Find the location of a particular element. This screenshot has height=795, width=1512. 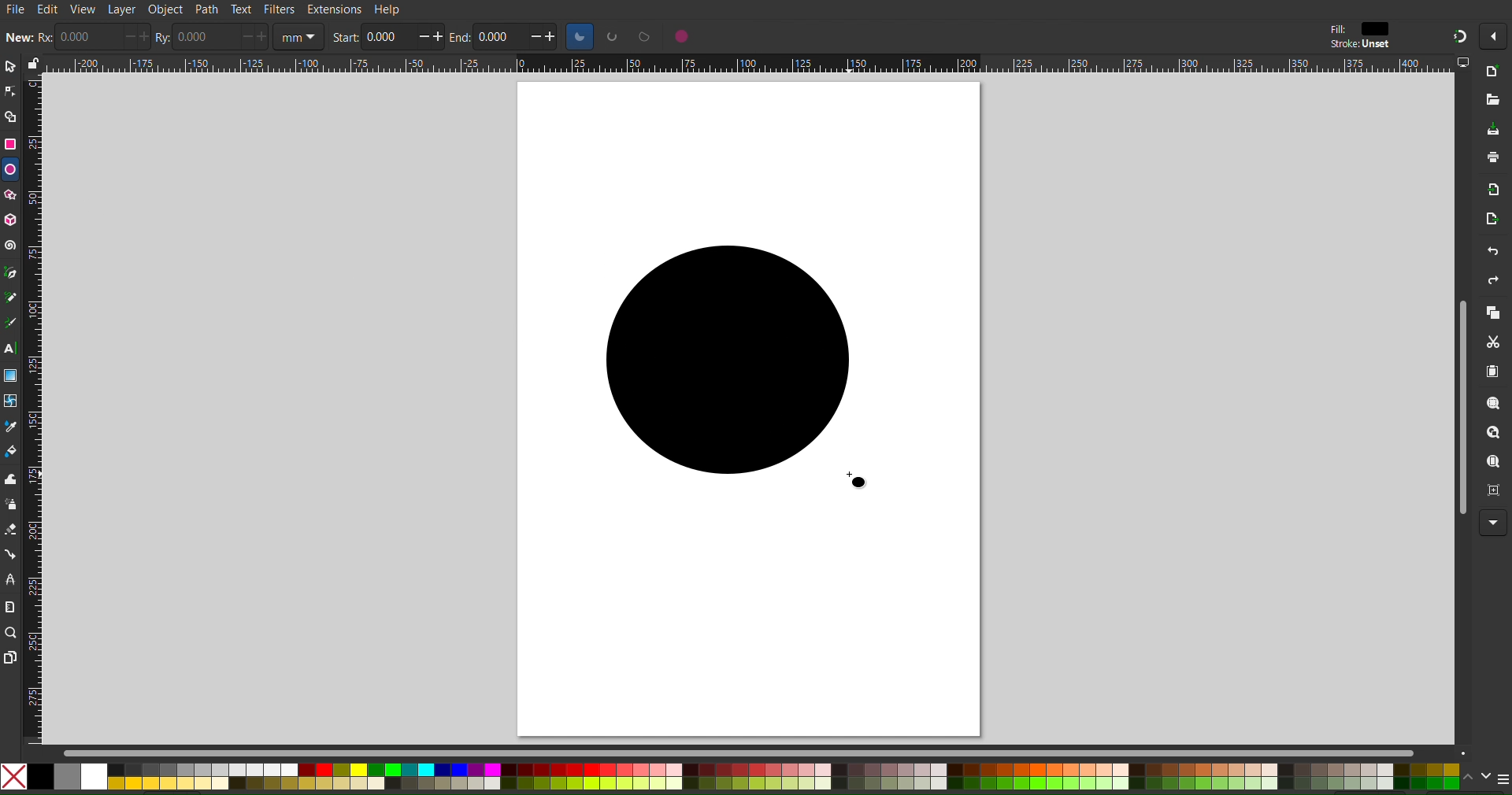

Pencil Tool is located at coordinates (10, 298).